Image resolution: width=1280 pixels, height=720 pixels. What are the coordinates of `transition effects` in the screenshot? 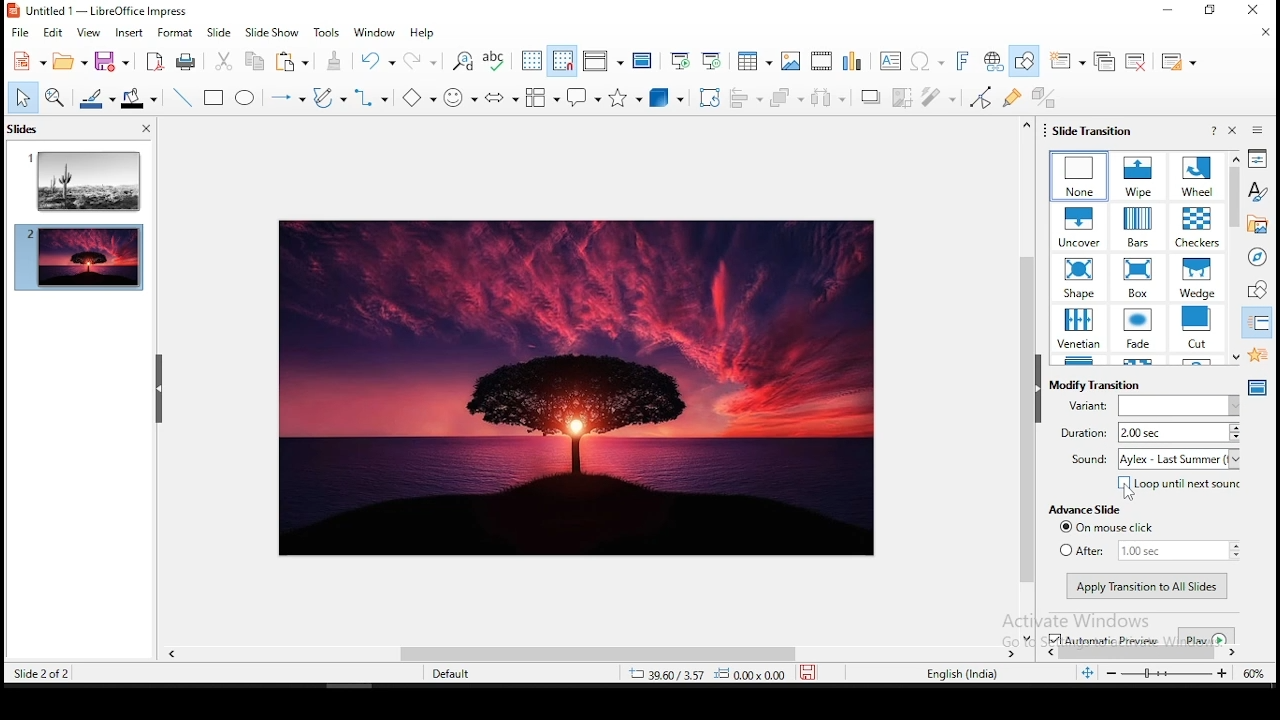 It's located at (1195, 327).